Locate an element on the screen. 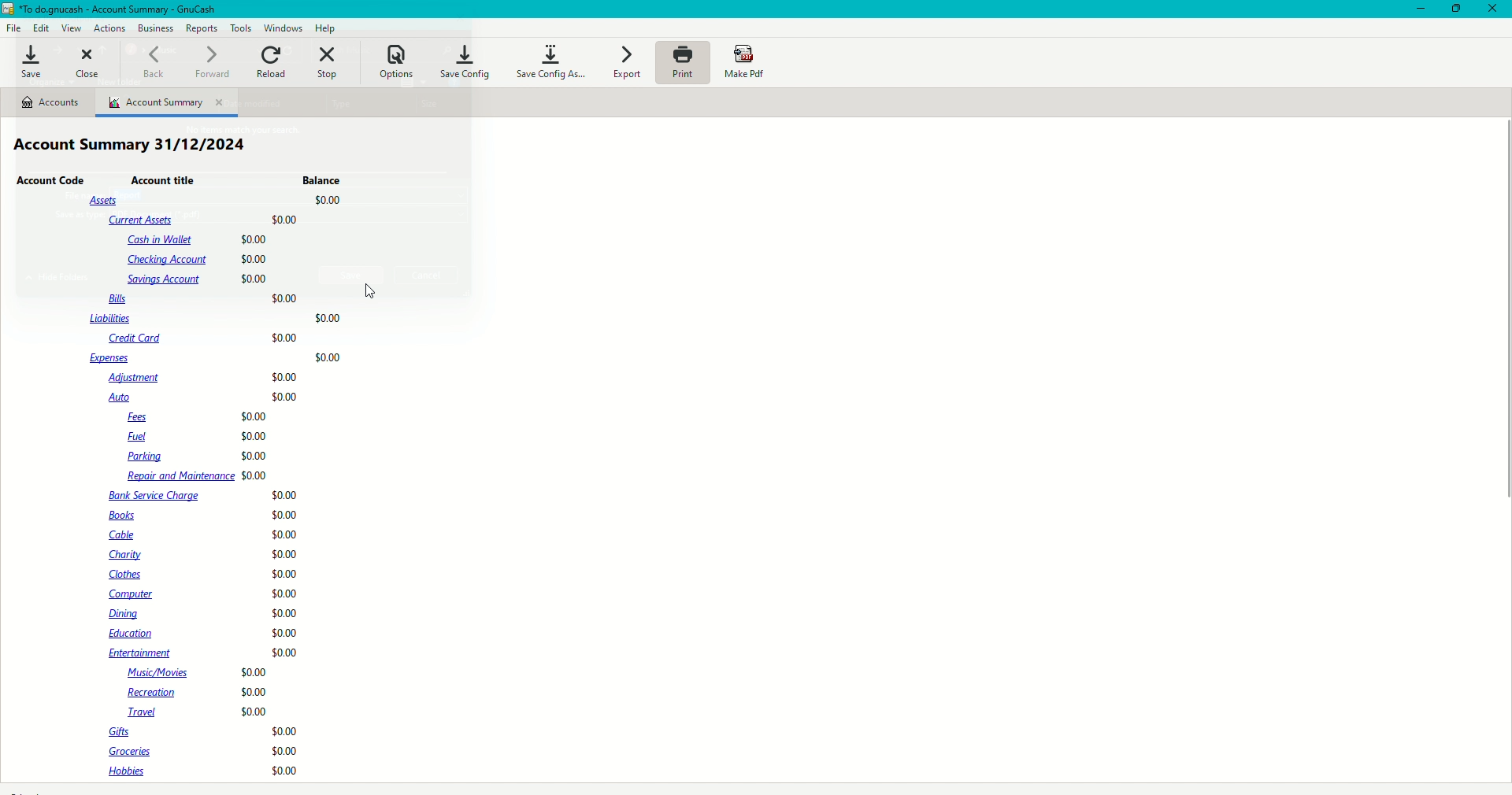  Options is located at coordinates (396, 61).